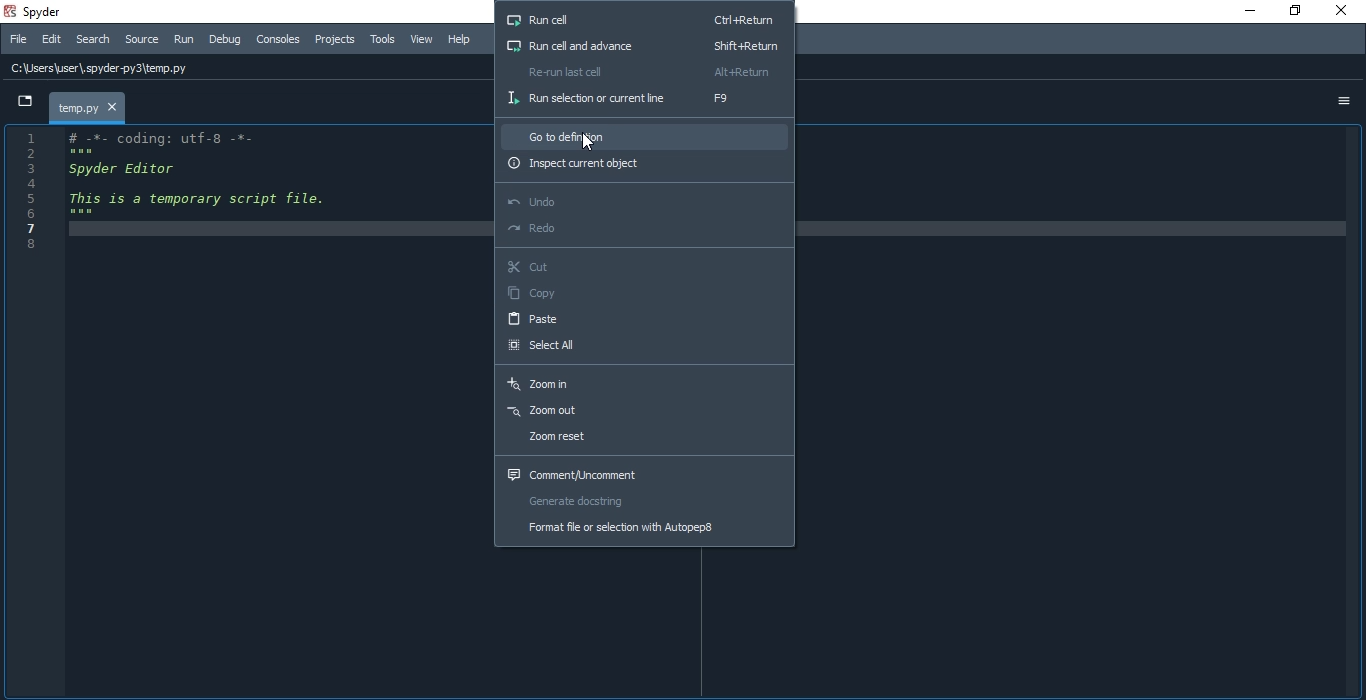 The image size is (1366, 700). I want to click on dropdown, so click(20, 104).